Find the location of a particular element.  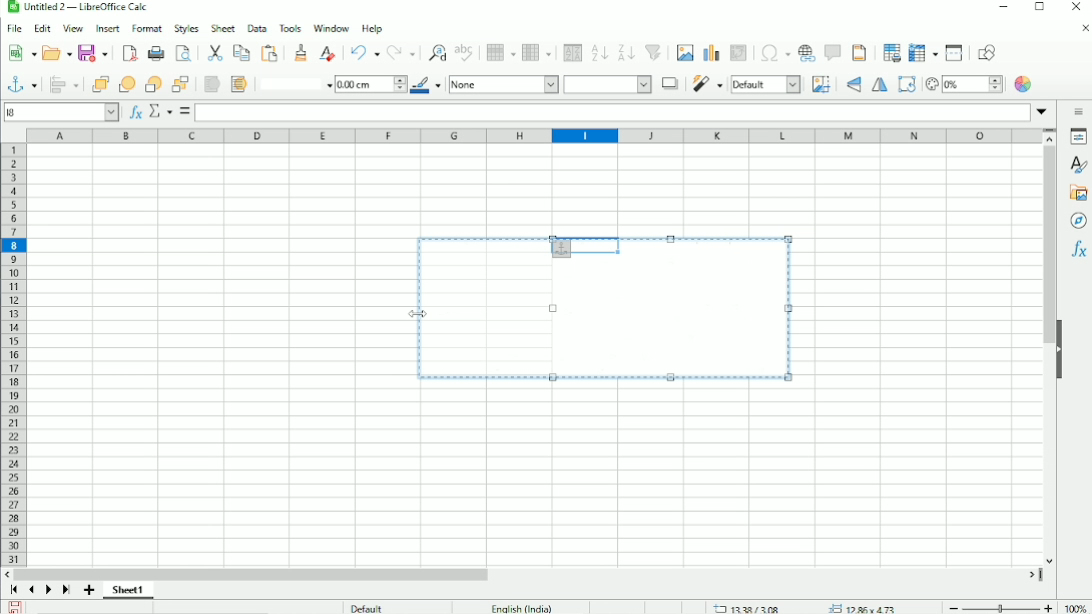

Sort descending is located at coordinates (625, 52).